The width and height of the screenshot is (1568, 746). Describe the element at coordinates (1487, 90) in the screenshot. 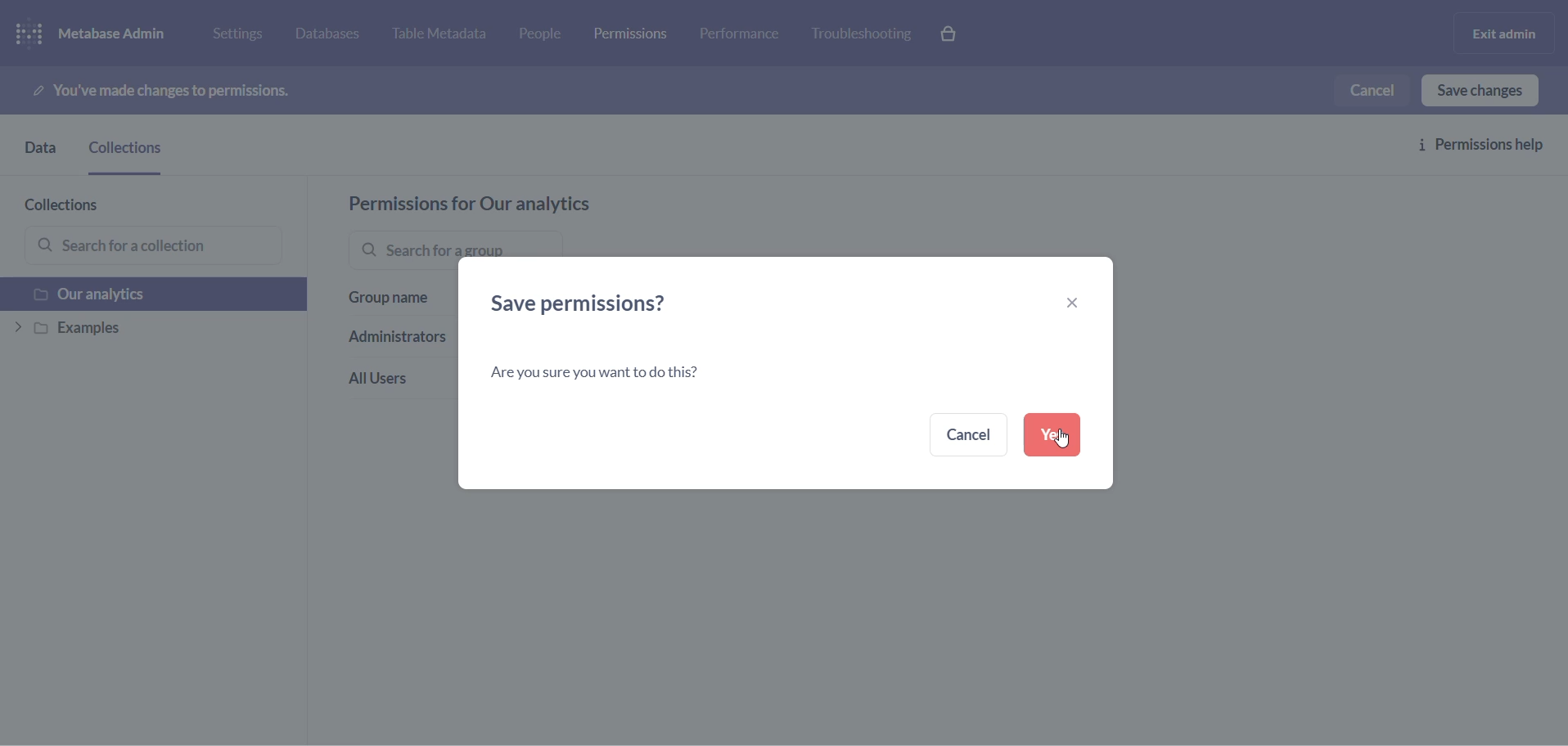

I see `save changes` at that location.